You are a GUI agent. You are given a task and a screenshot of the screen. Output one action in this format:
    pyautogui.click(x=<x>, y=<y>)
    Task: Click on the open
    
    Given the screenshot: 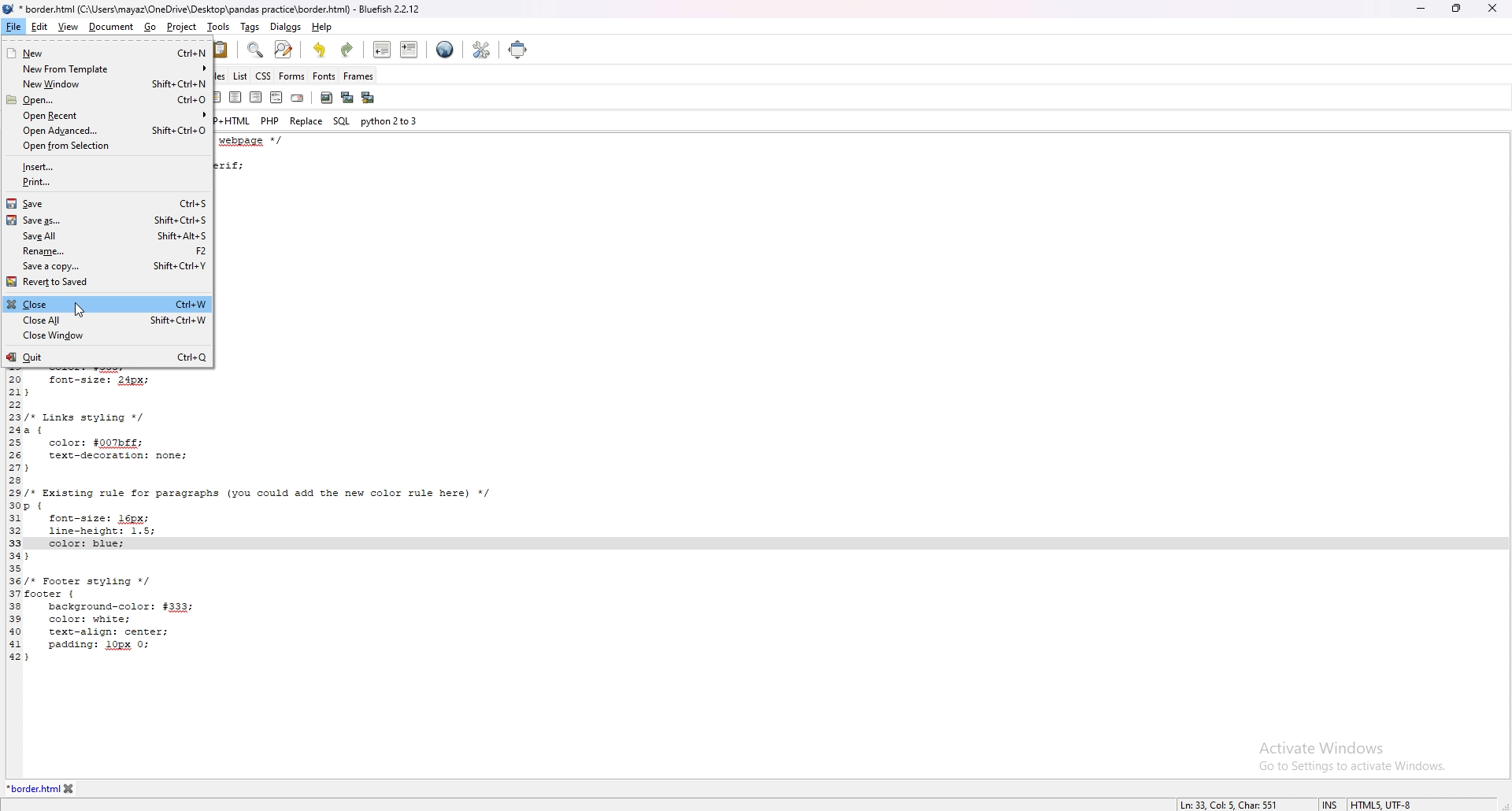 What is the action you would take?
    pyautogui.click(x=107, y=101)
    